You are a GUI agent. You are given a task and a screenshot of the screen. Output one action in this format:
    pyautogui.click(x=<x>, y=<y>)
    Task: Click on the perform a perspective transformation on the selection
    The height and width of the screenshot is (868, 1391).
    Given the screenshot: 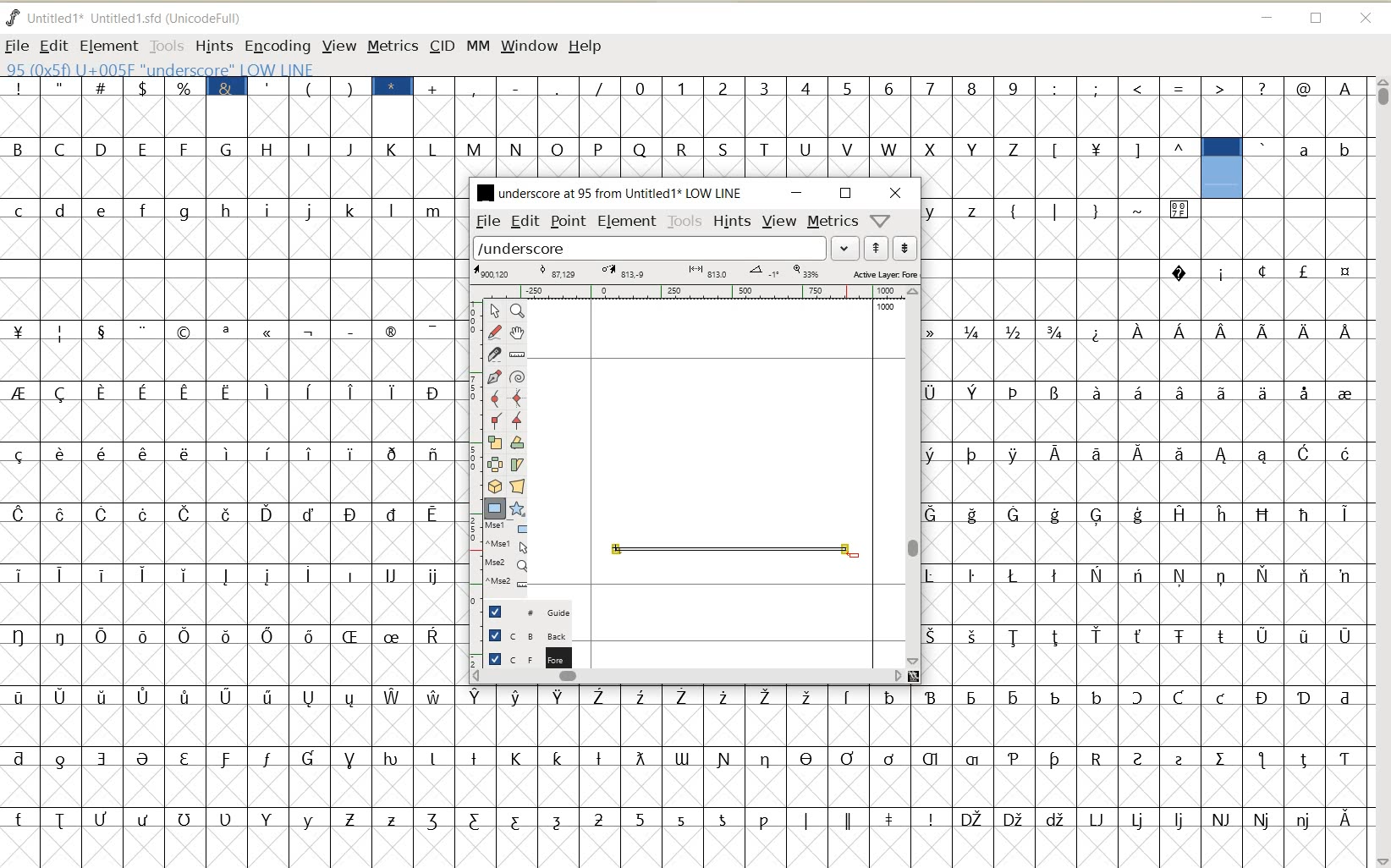 What is the action you would take?
    pyautogui.click(x=517, y=486)
    